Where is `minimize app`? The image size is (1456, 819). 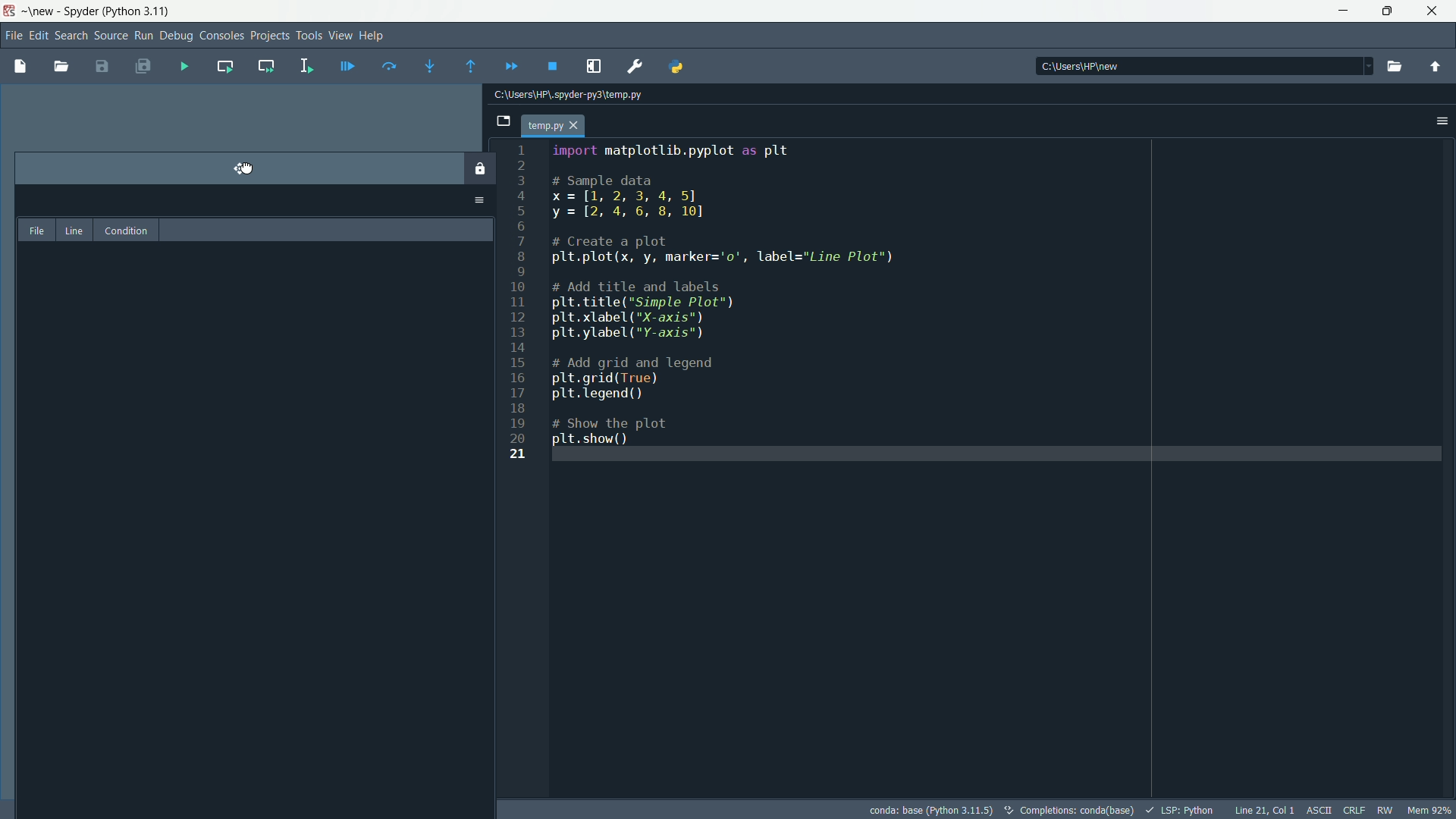
minimize app is located at coordinates (1341, 11).